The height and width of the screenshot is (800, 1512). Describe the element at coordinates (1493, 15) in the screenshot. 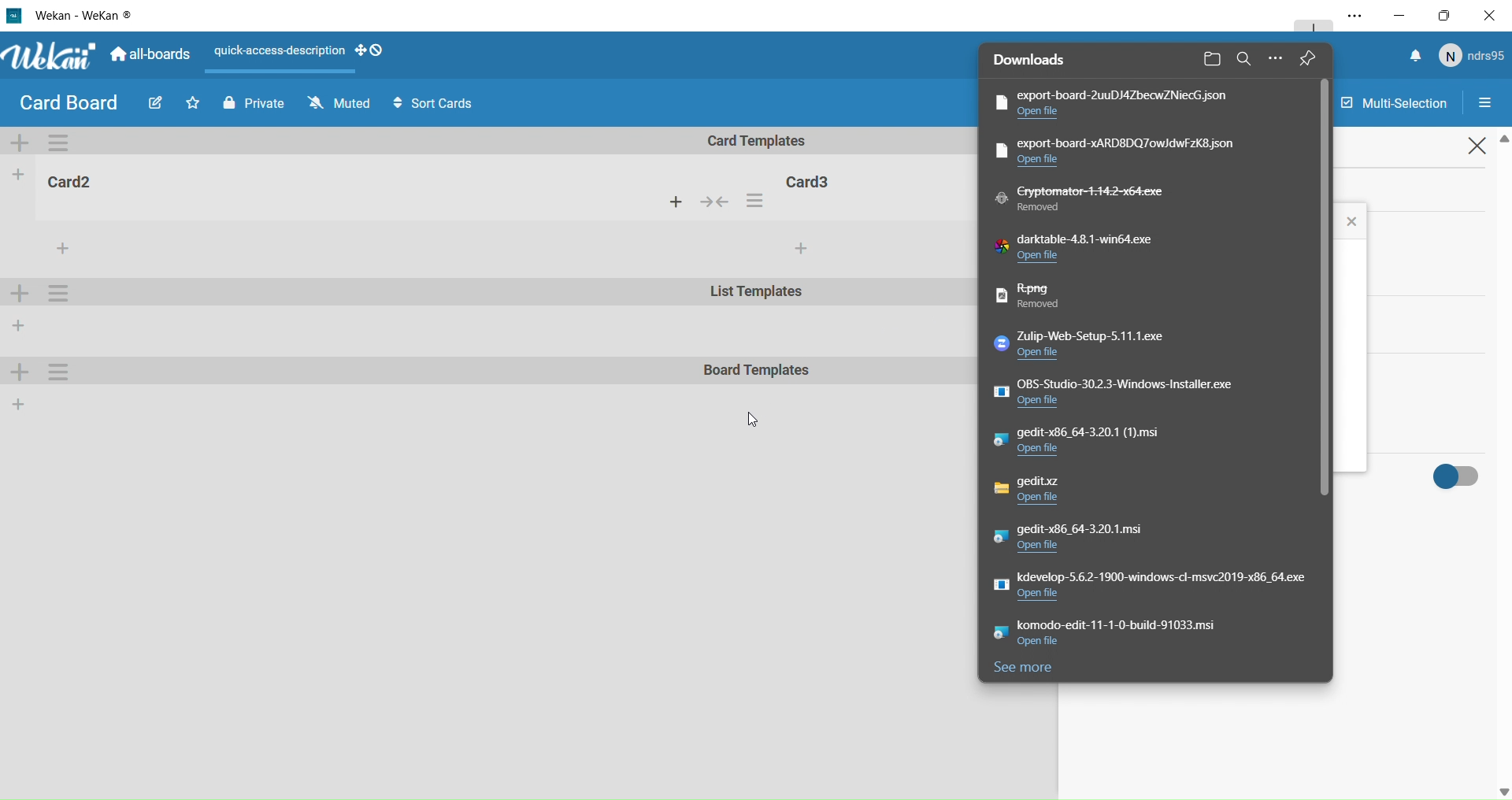

I see `close` at that location.